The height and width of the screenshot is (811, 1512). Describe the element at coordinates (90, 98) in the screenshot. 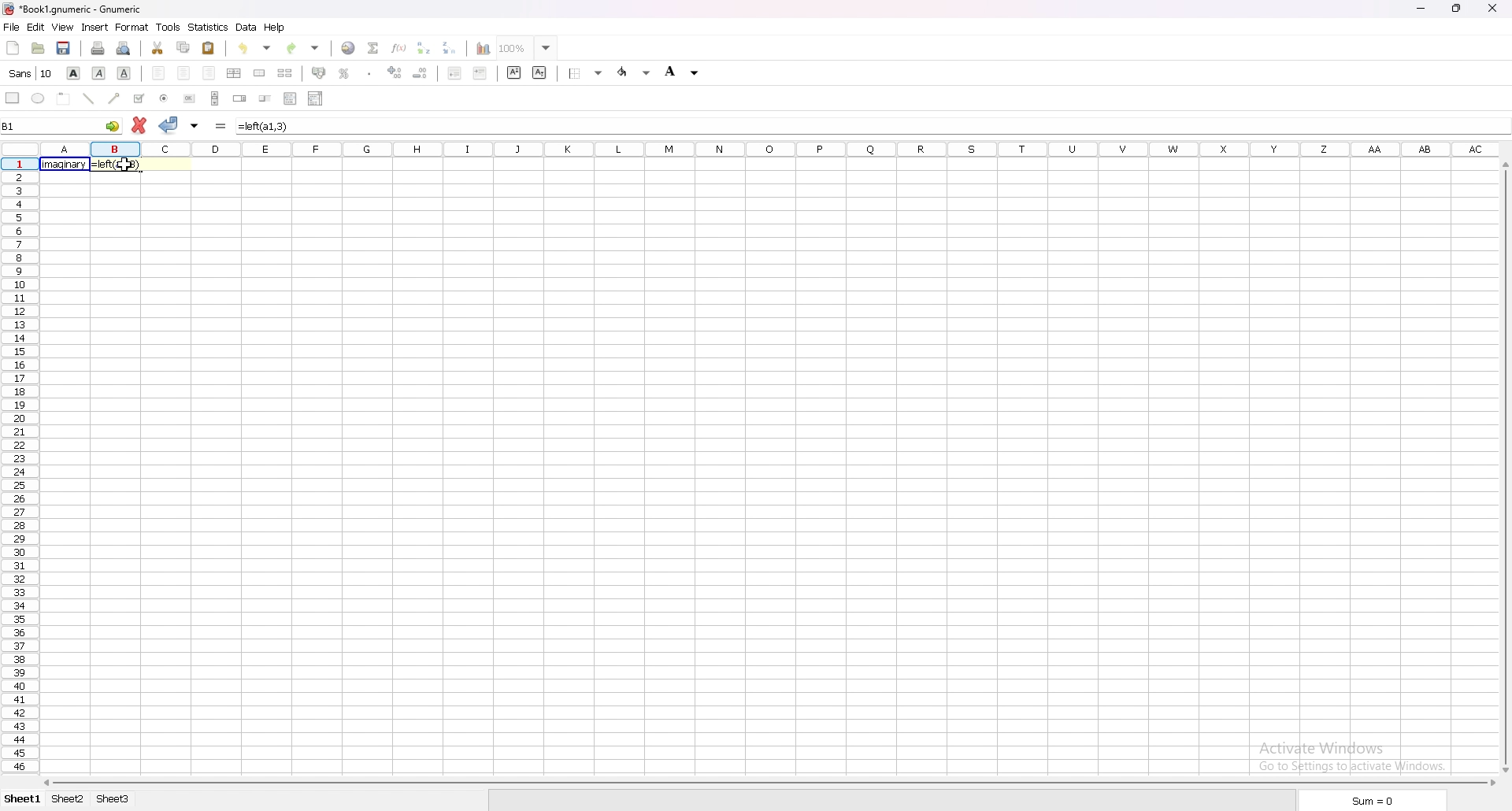

I see `line` at that location.